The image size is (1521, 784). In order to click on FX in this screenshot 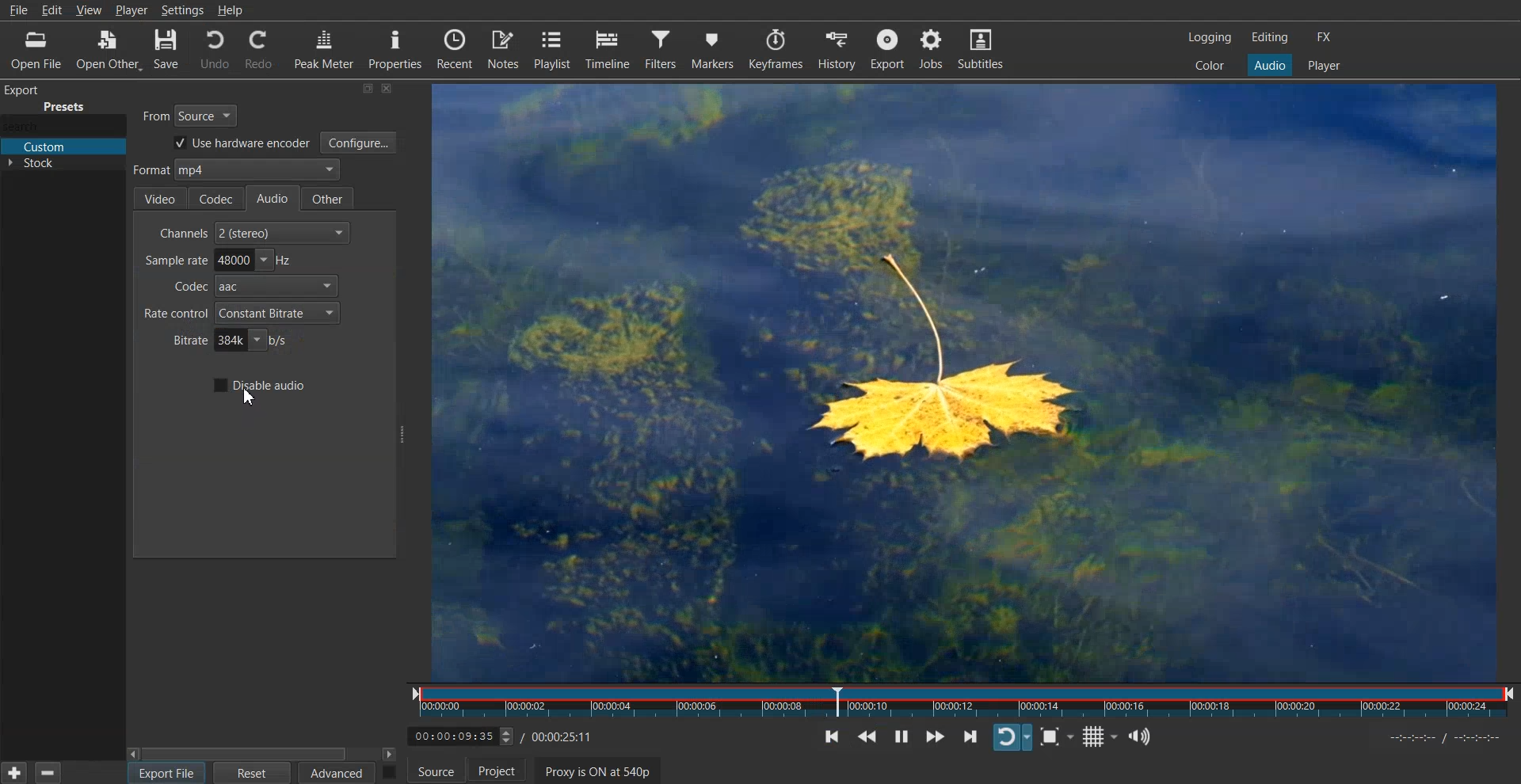, I will do `click(1322, 37)`.